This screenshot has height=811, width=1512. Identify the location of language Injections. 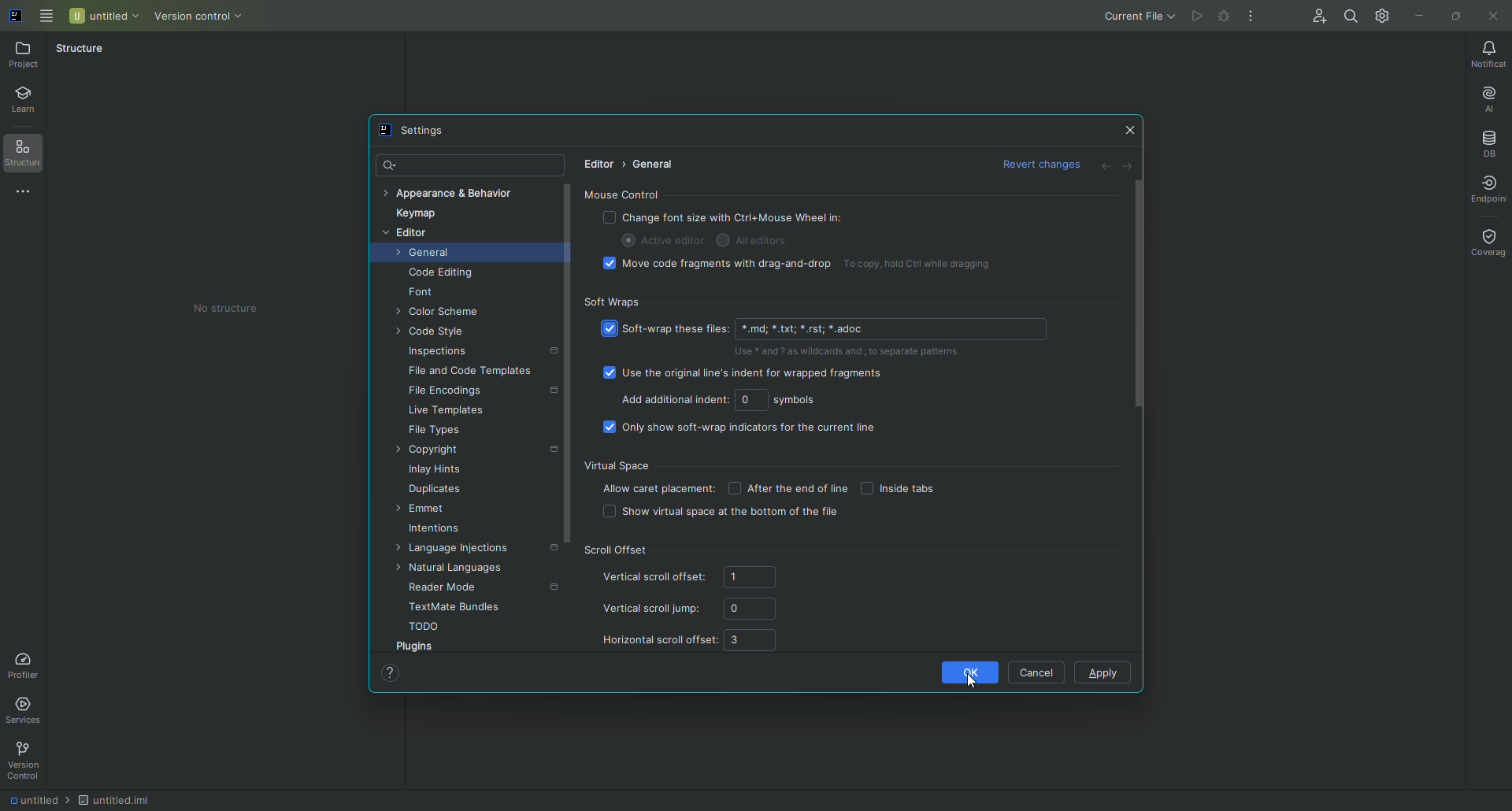
(465, 551).